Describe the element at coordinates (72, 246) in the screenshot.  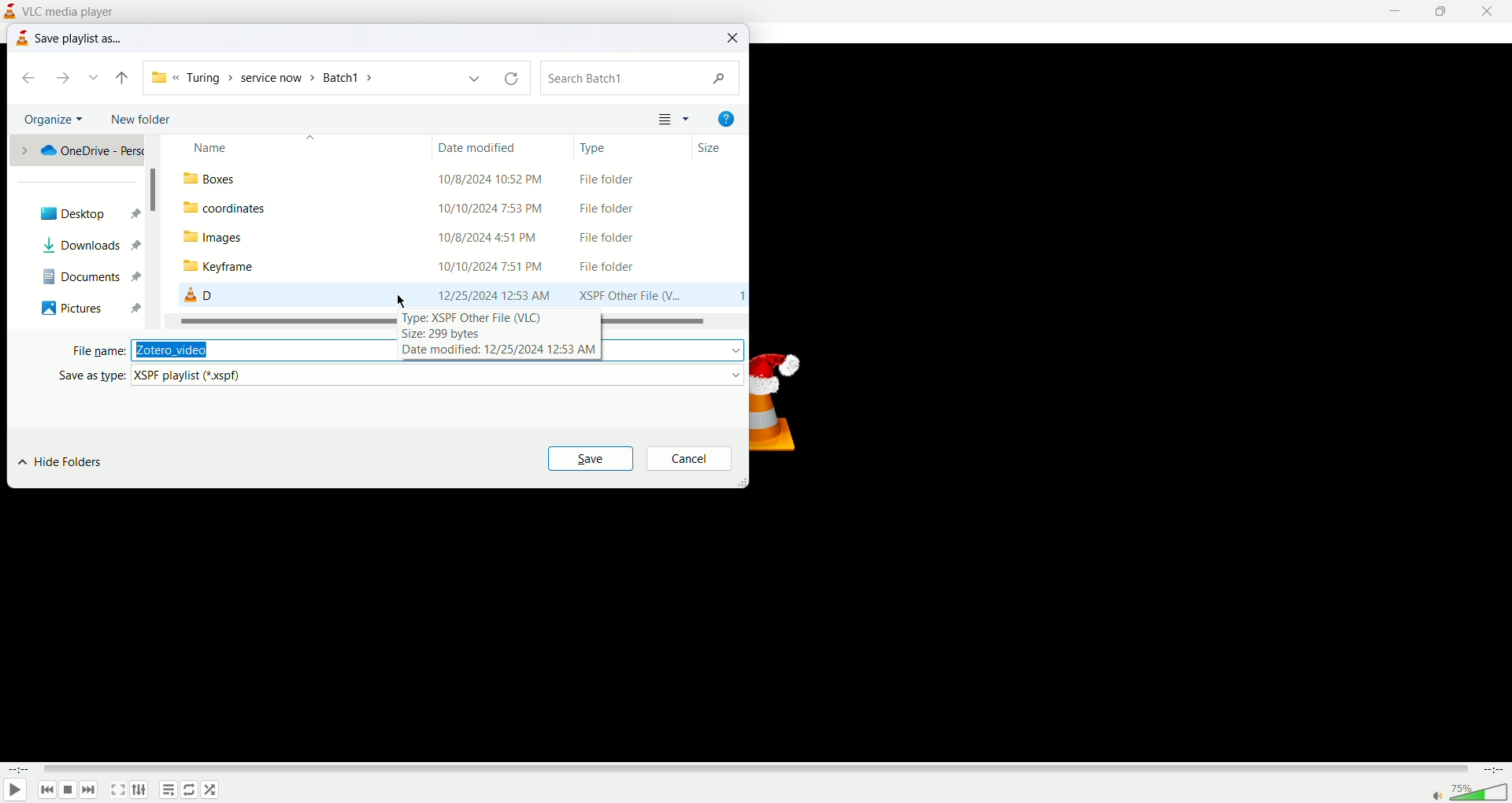
I see `downloads` at that location.